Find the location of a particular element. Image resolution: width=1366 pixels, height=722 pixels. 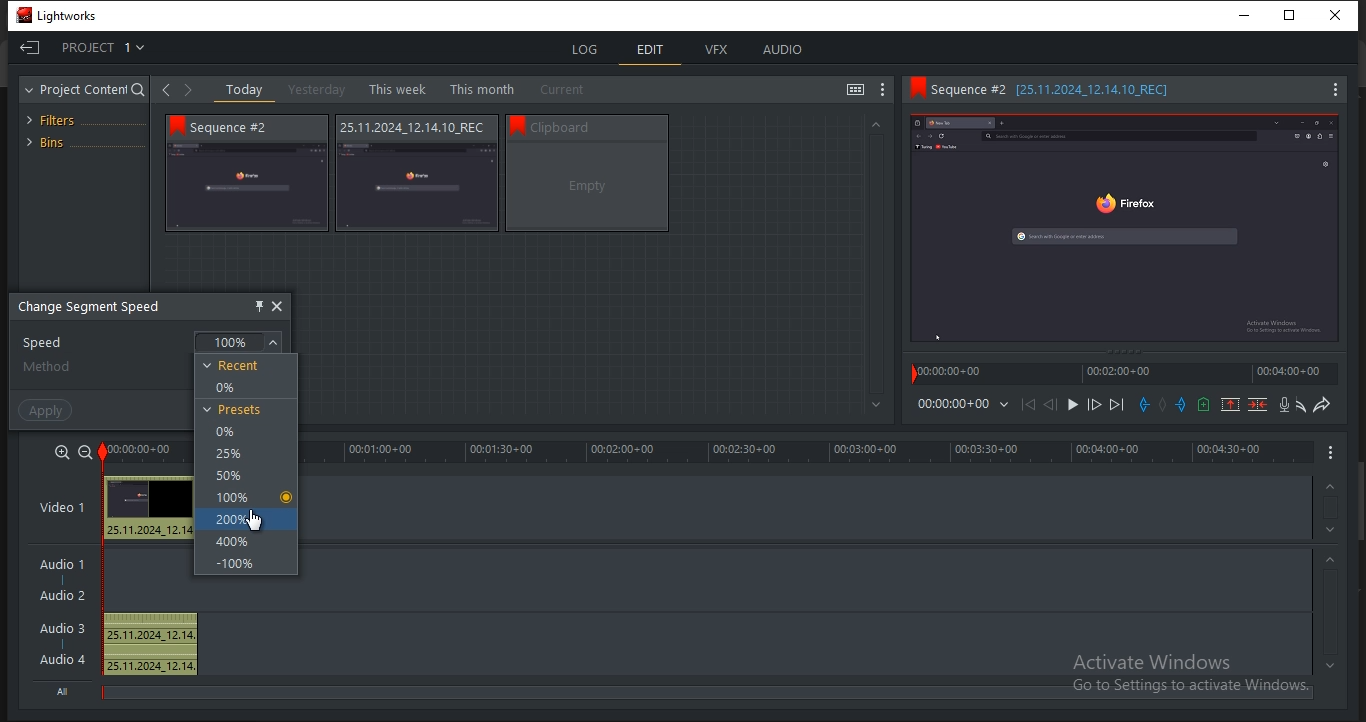

add an out mark is located at coordinates (1180, 405).